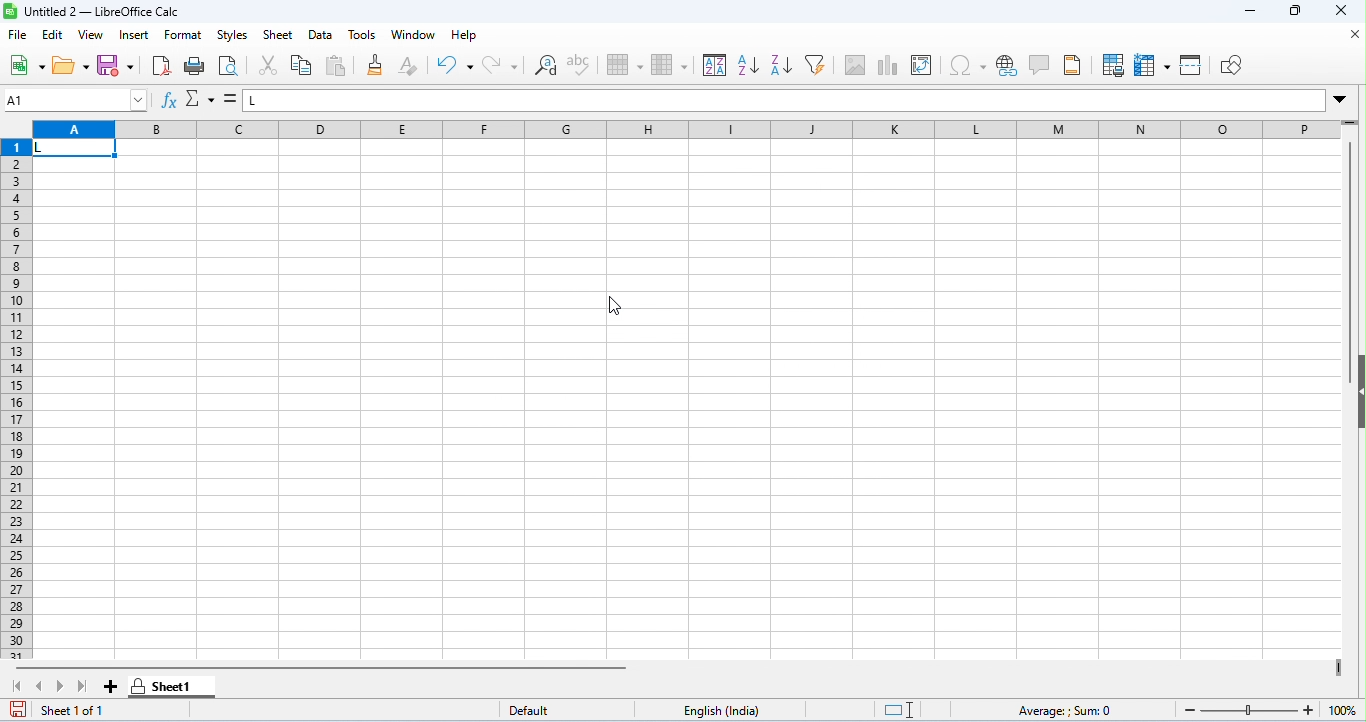  Describe the element at coordinates (20, 709) in the screenshot. I see `save` at that location.